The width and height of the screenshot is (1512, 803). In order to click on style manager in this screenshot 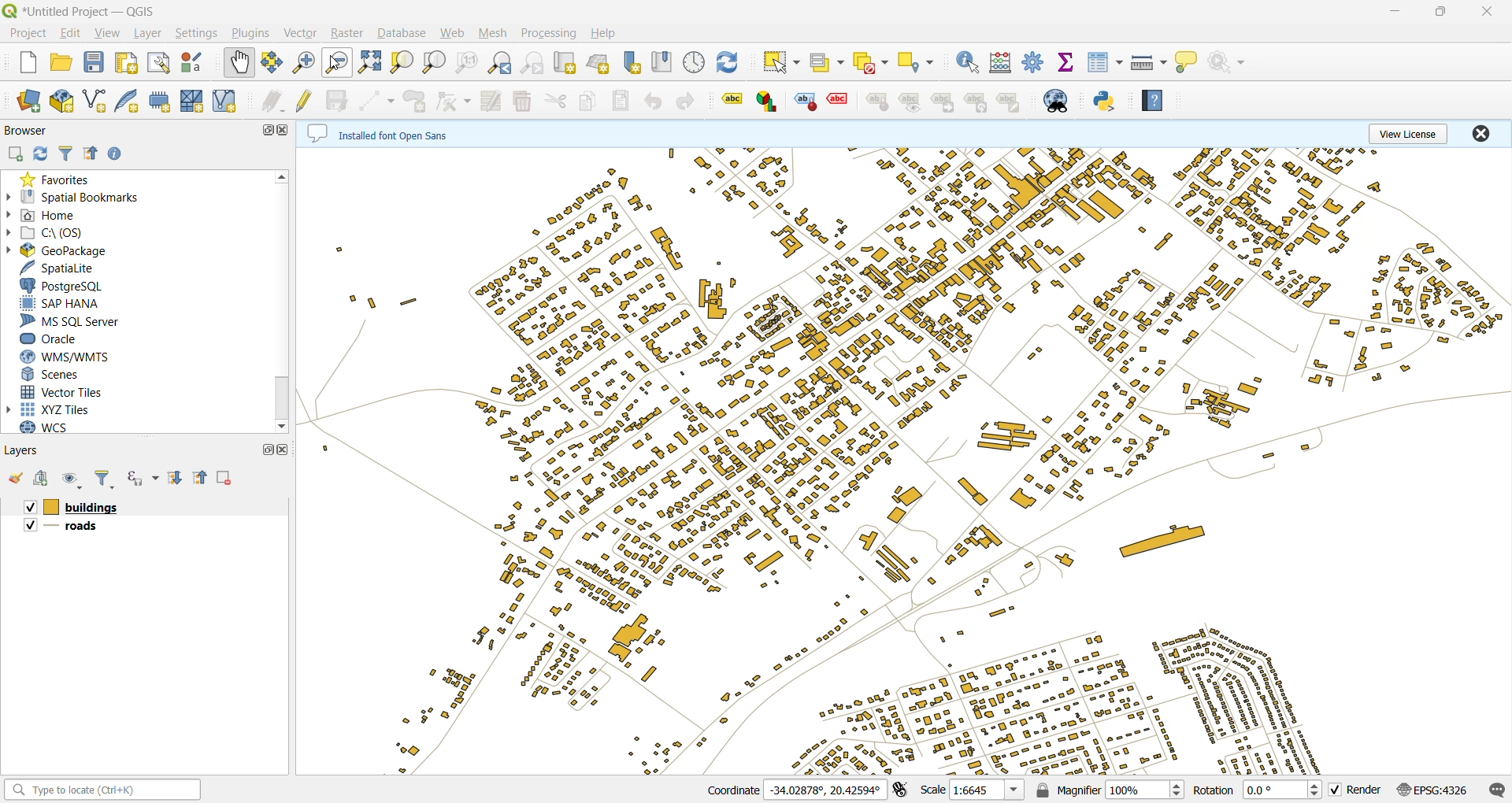, I will do `click(196, 65)`.